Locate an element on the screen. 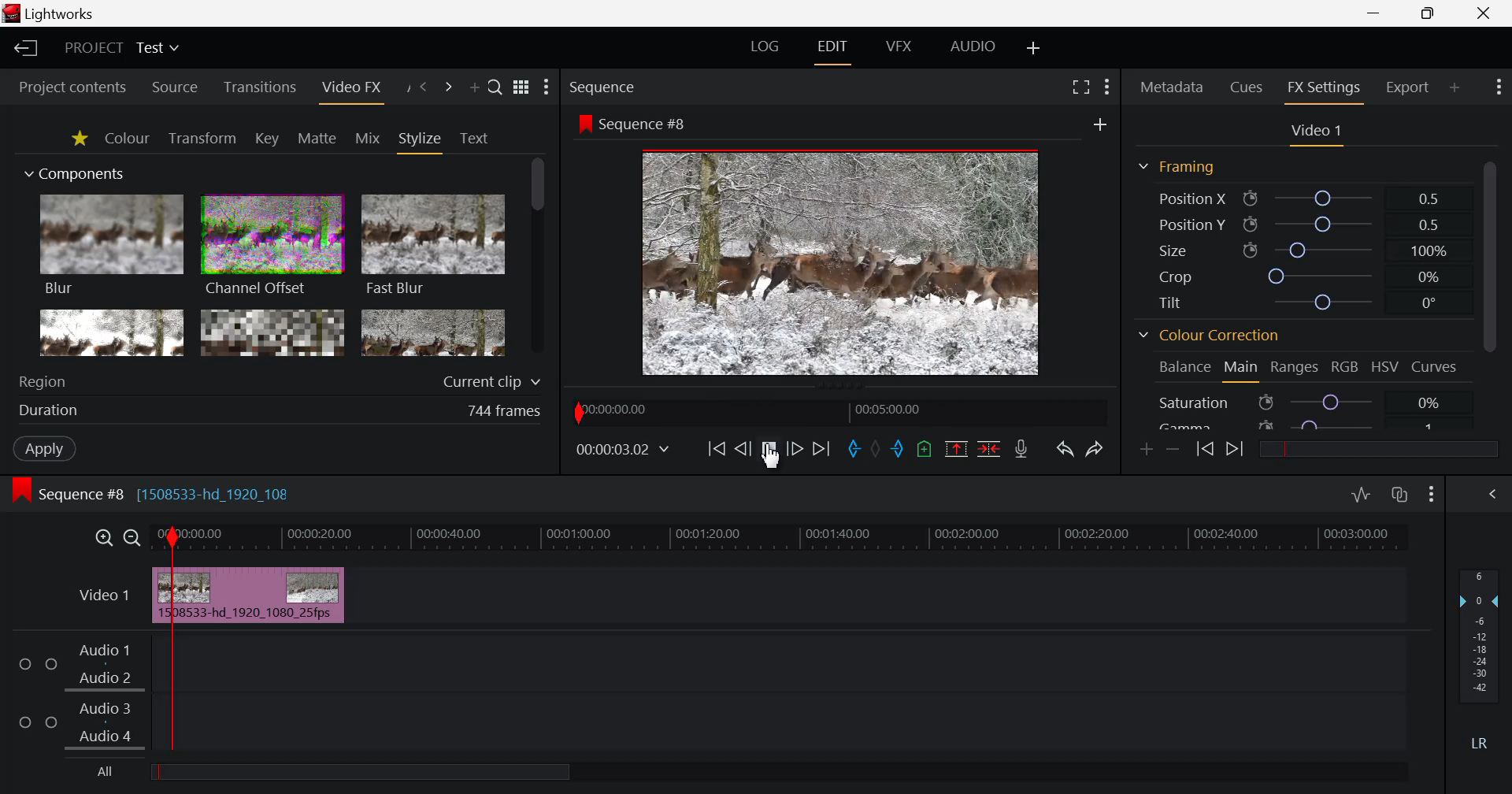 The height and width of the screenshot is (794, 1512). To End is located at coordinates (821, 450).